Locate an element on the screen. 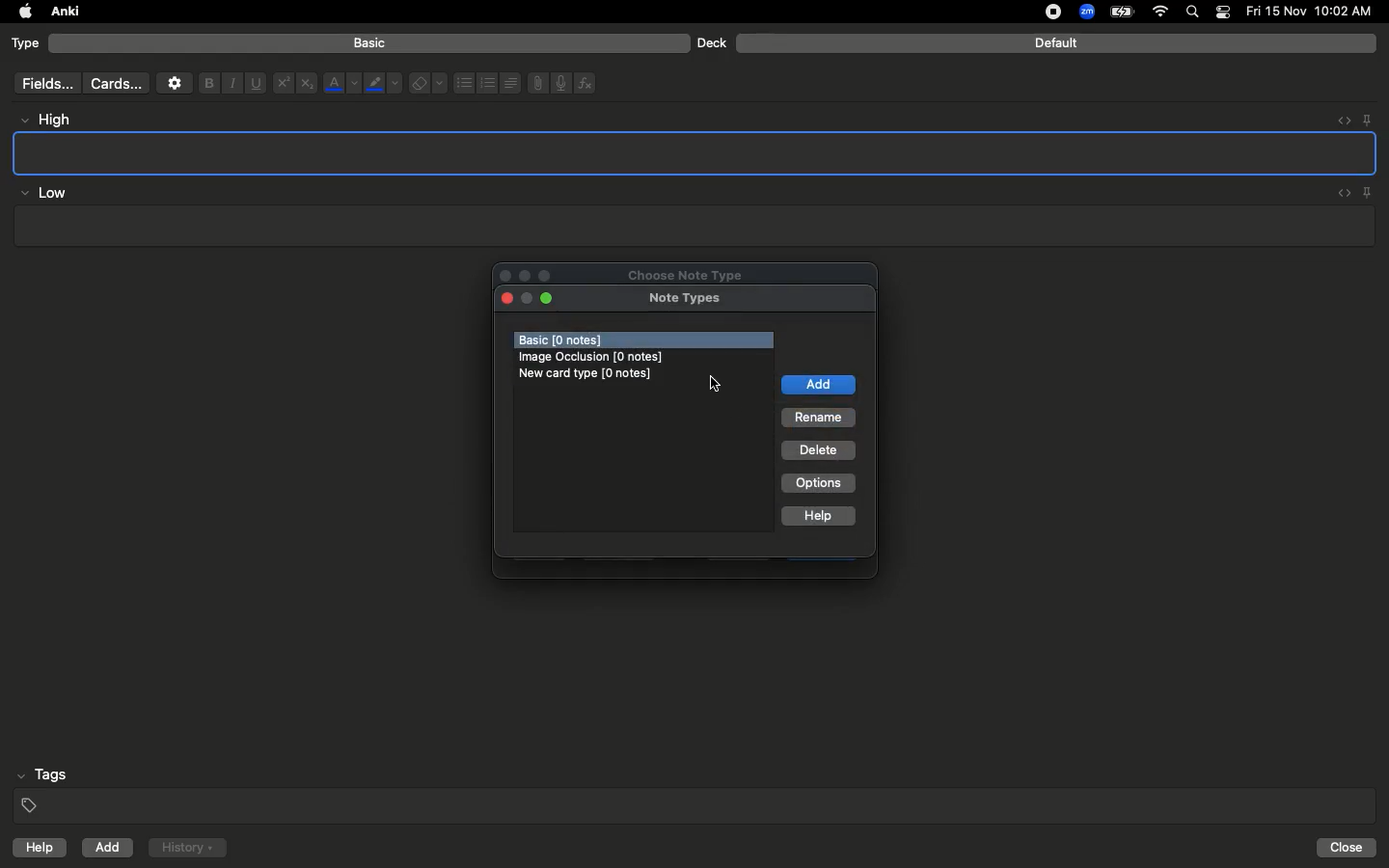 This screenshot has width=1389, height=868. Type is located at coordinates (26, 44).